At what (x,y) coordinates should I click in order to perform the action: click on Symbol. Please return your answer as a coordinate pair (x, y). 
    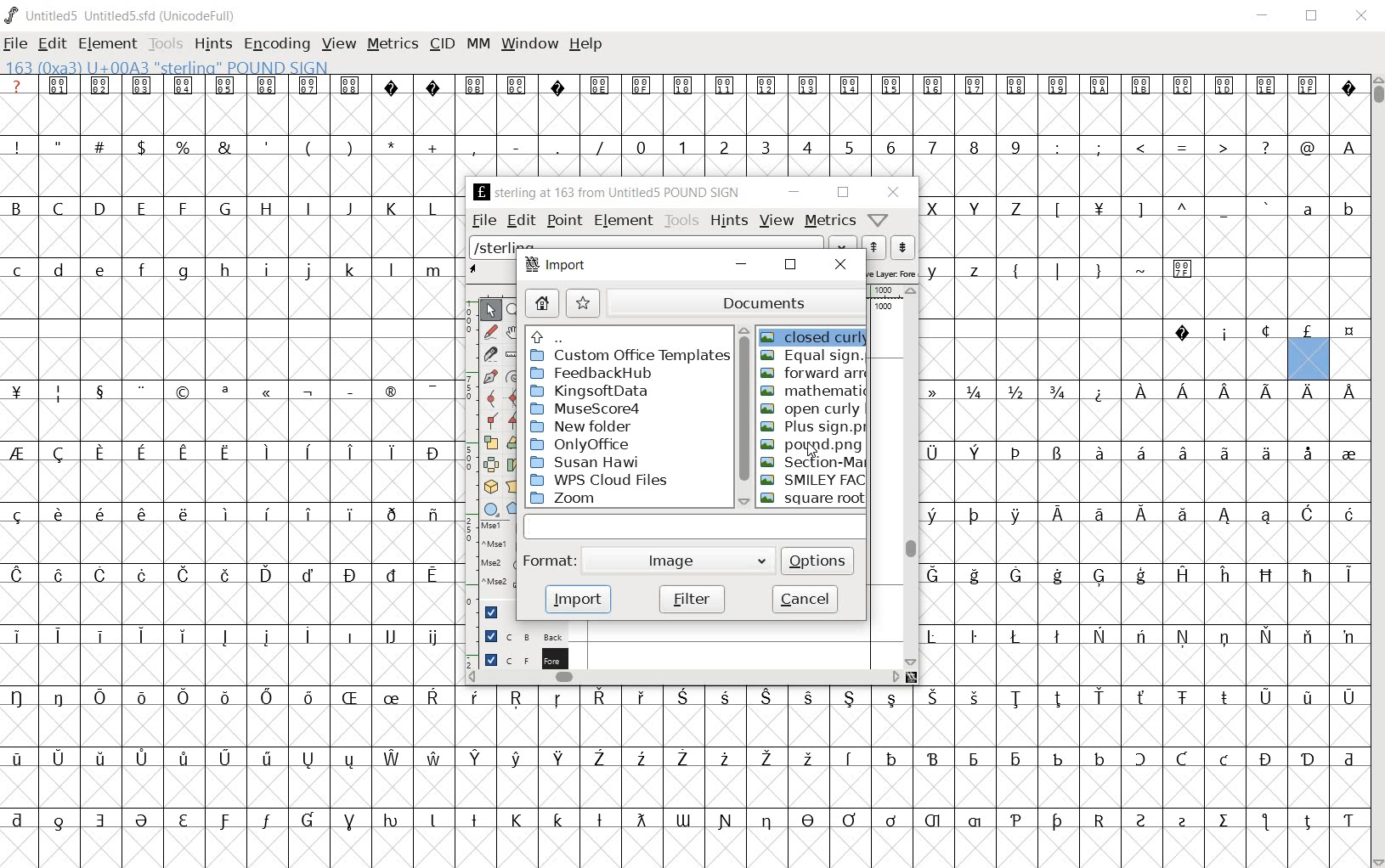
    Looking at the image, I should click on (725, 820).